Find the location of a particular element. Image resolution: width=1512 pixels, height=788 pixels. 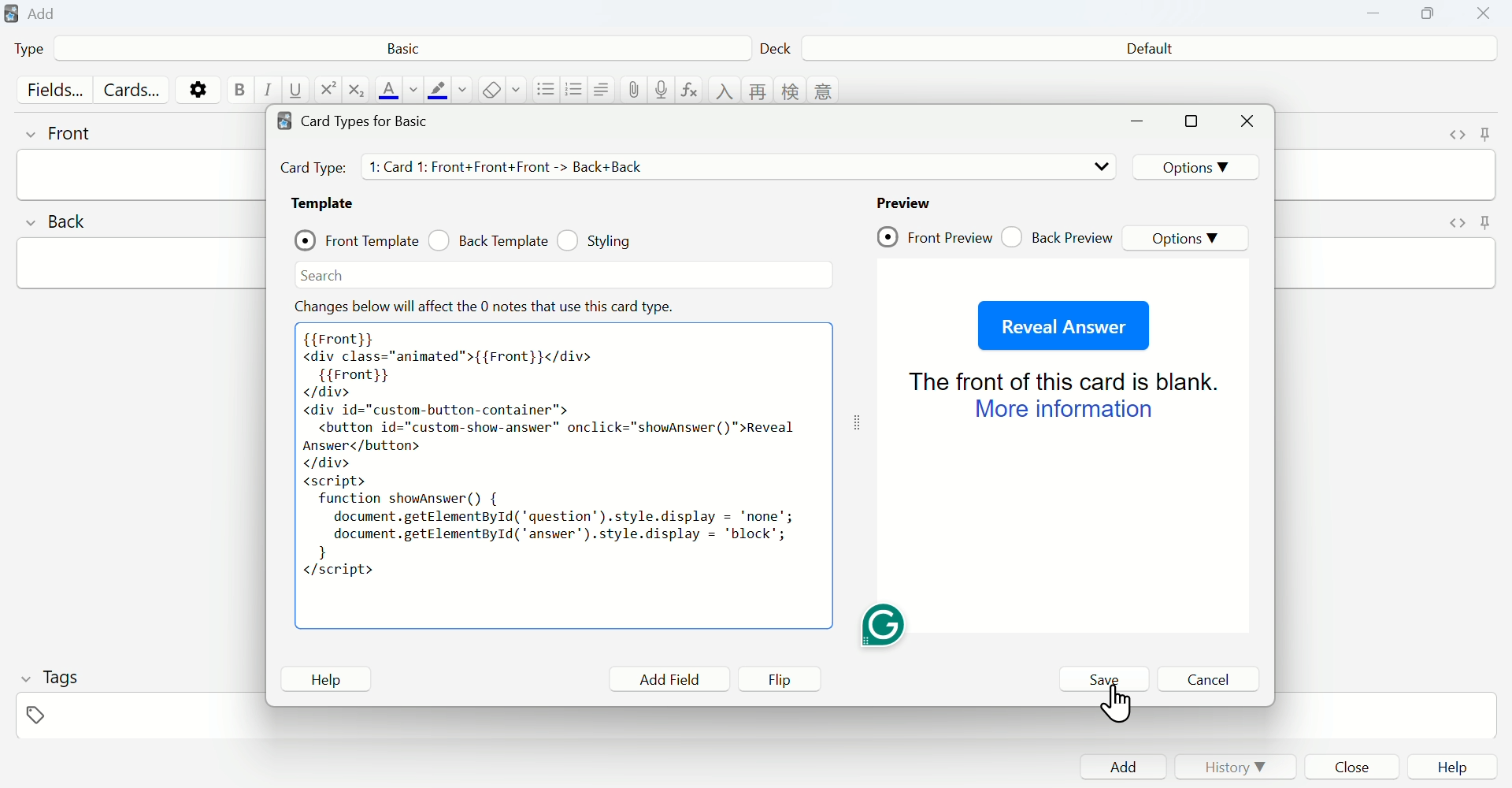

language is located at coordinates (824, 90).